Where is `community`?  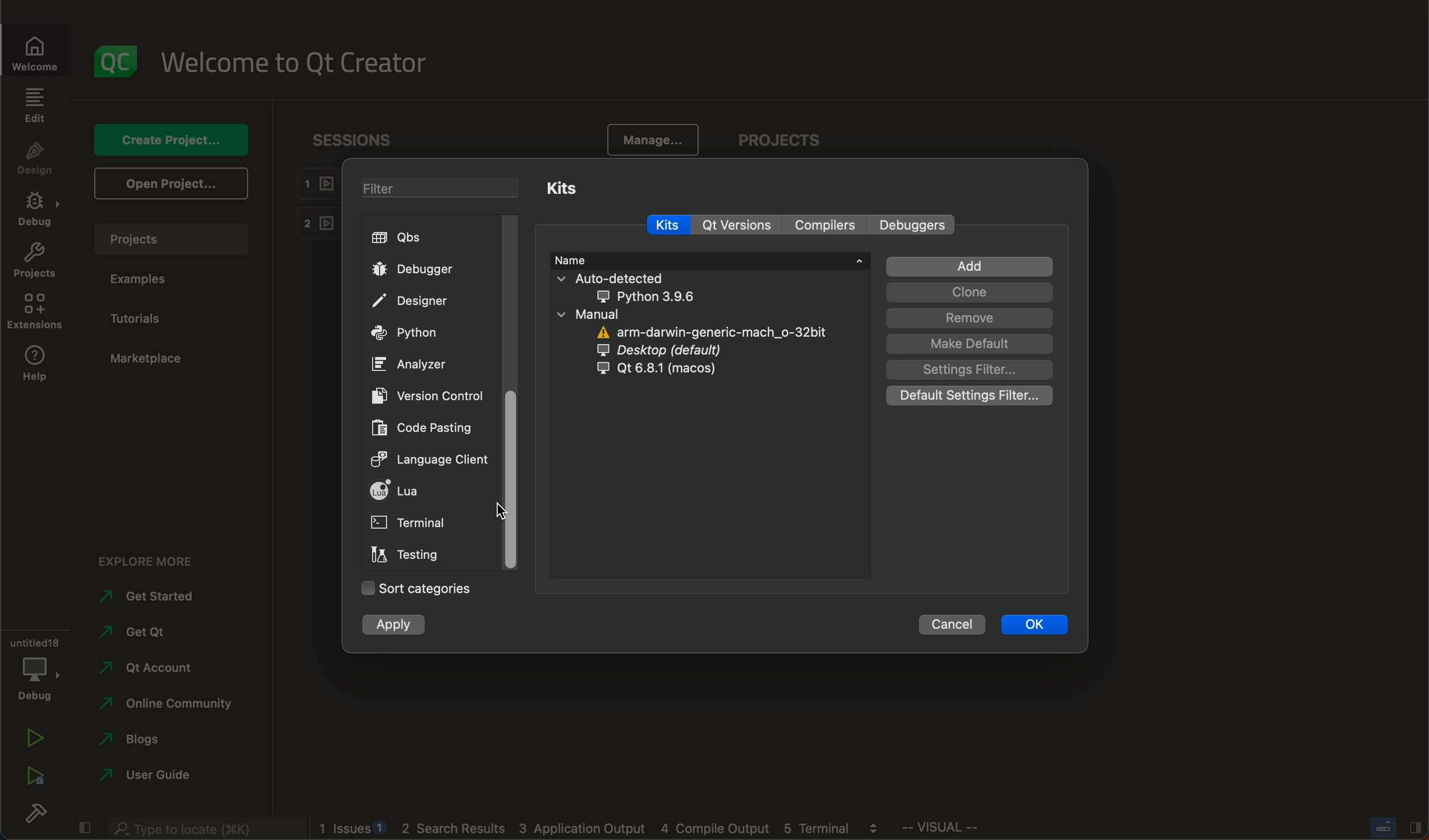
community is located at coordinates (173, 703).